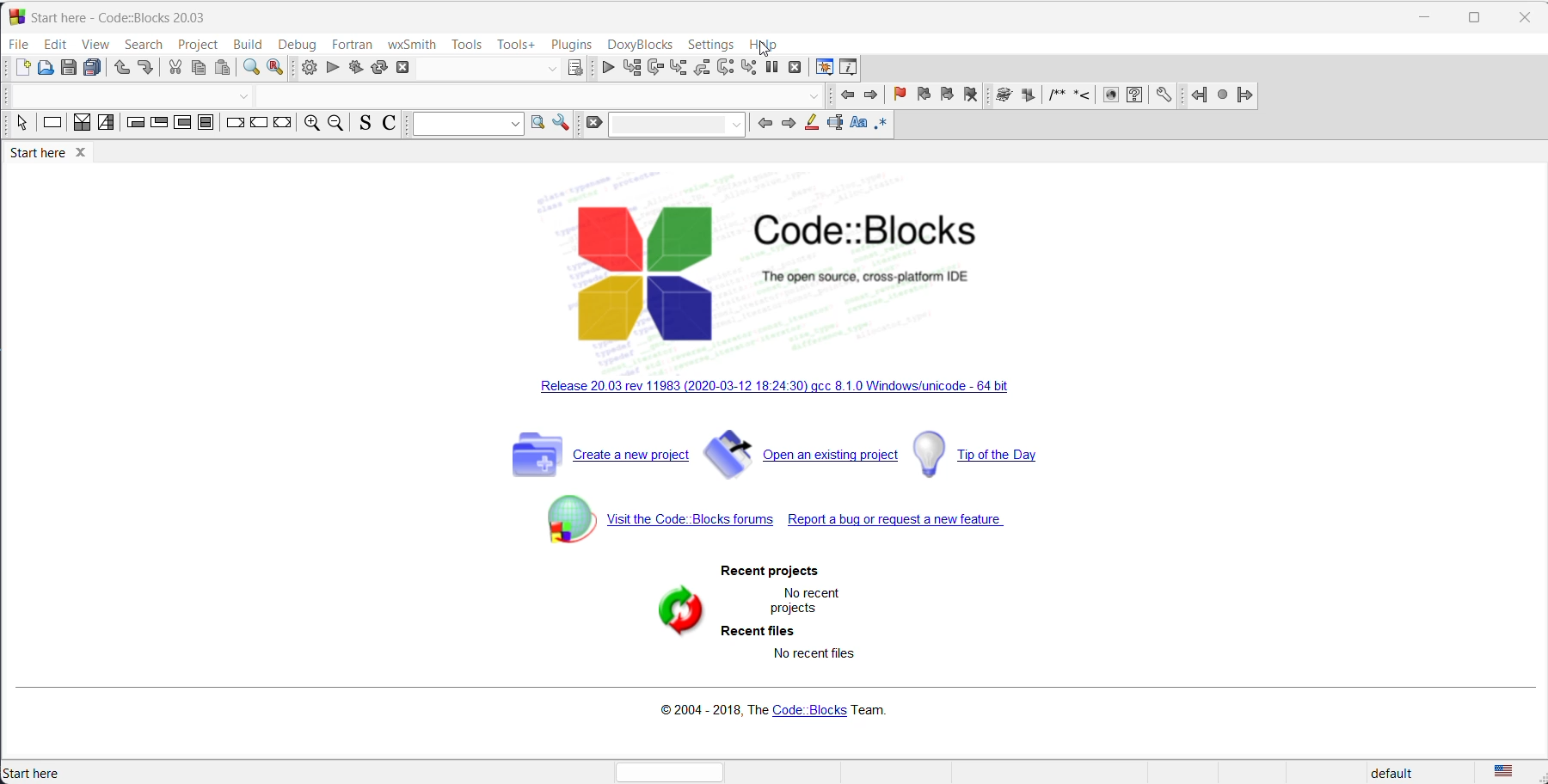 This screenshot has height=784, width=1548. What do you see at coordinates (68, 70) in the screenshot?
I see `save` at bounding box center [68, 70].